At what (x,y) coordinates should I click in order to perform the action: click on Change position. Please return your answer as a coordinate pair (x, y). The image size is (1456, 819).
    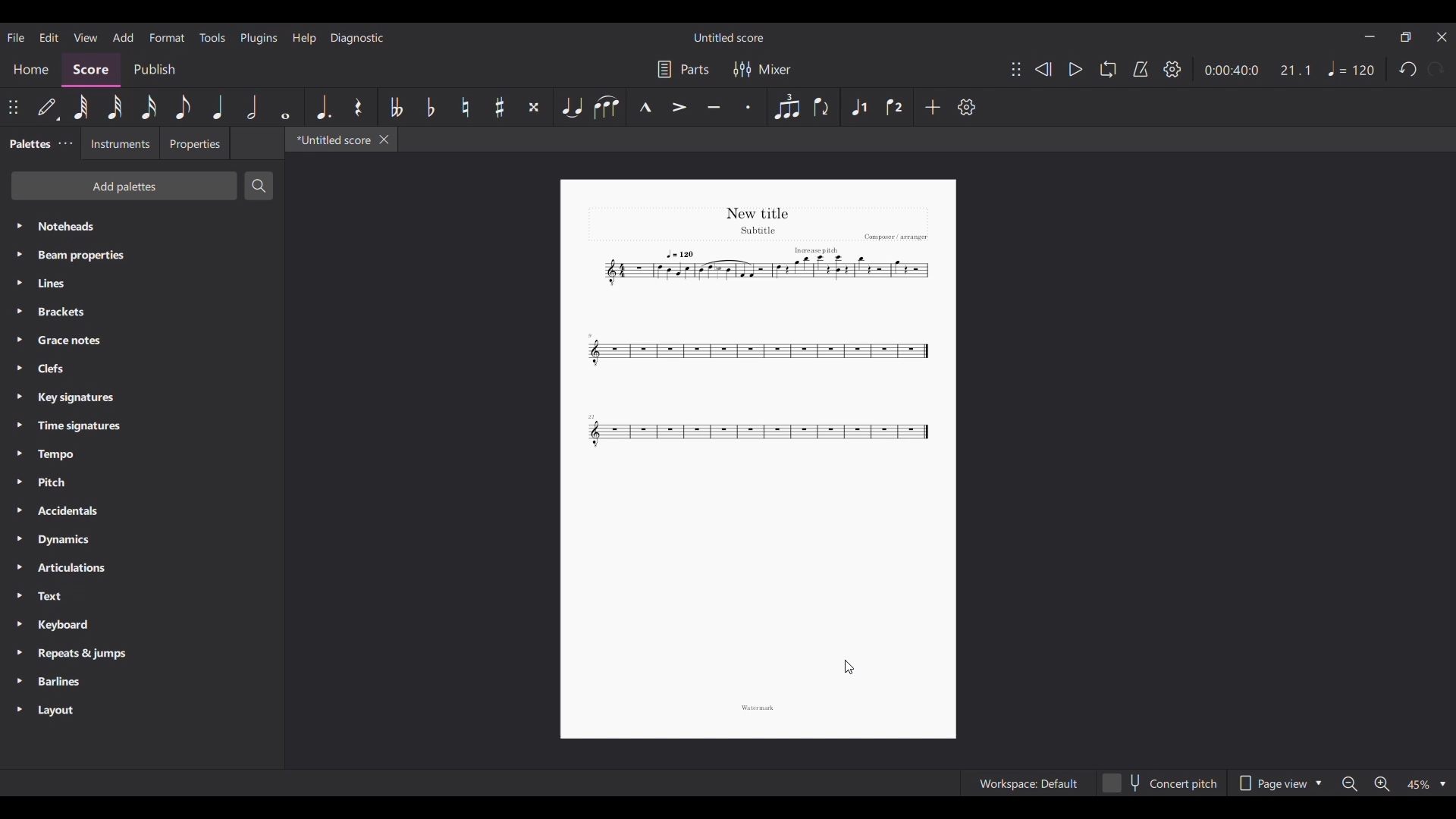
    Looking at the image, I should click on (1017, 69).